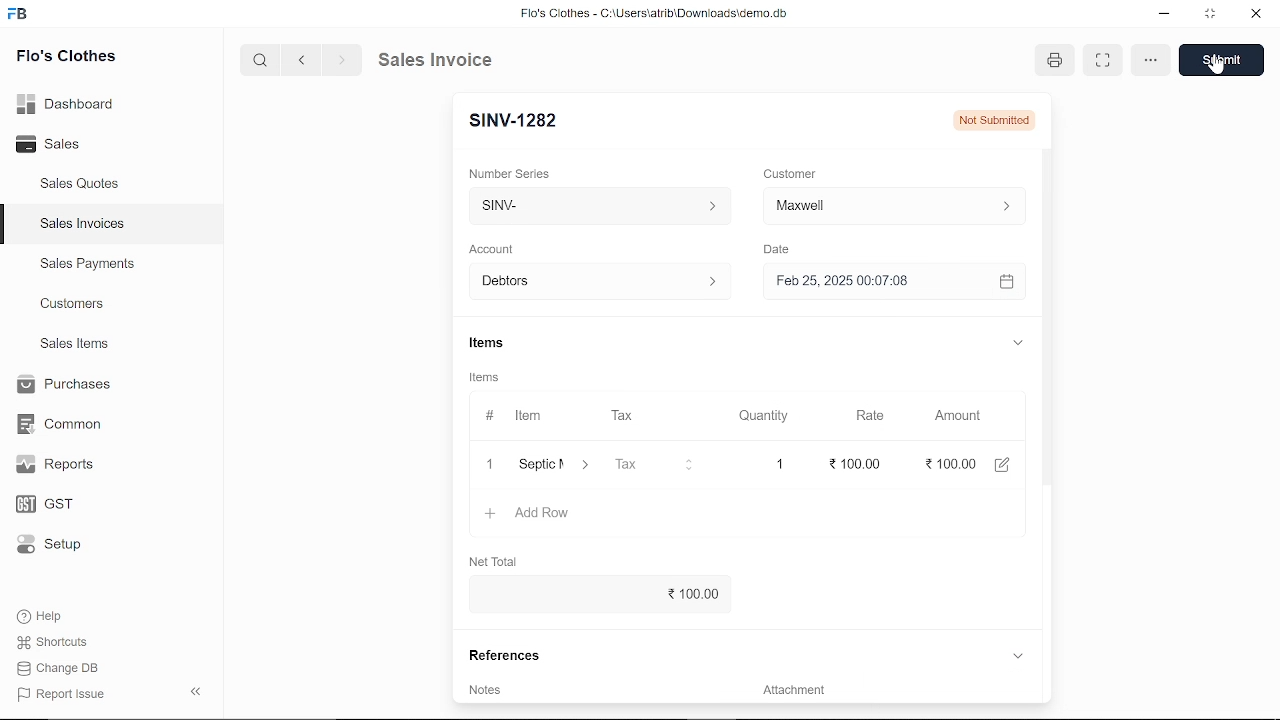 The height and width of the screenshot is (720, 1280). What do you see at coordinates (60, 465) in the screenshot?
I see `Reports` at bounding box center [60, 465].